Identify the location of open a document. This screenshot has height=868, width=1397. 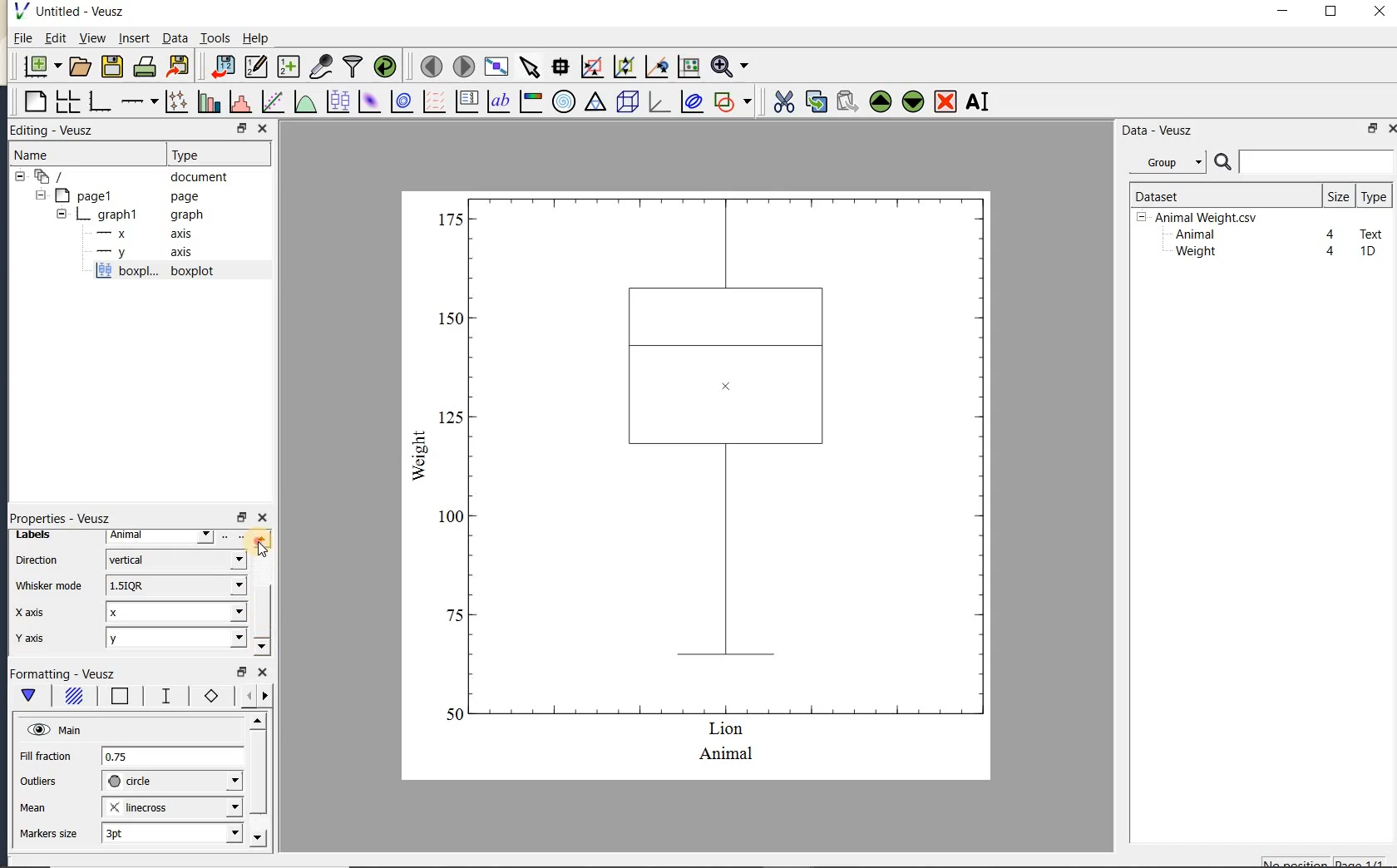
(78, 67).